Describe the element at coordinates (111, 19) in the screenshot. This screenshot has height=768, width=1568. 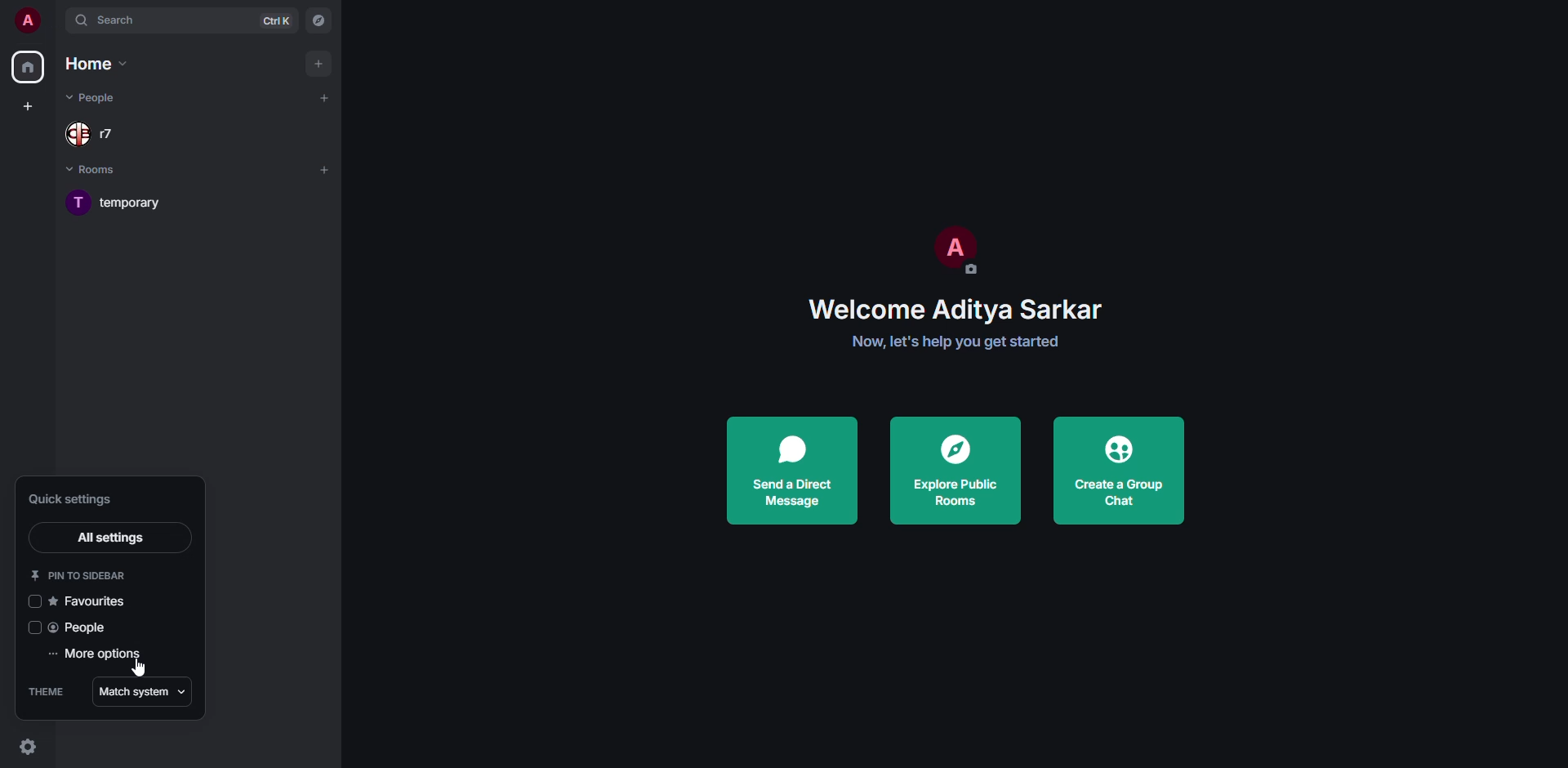
I see `search` at that location.